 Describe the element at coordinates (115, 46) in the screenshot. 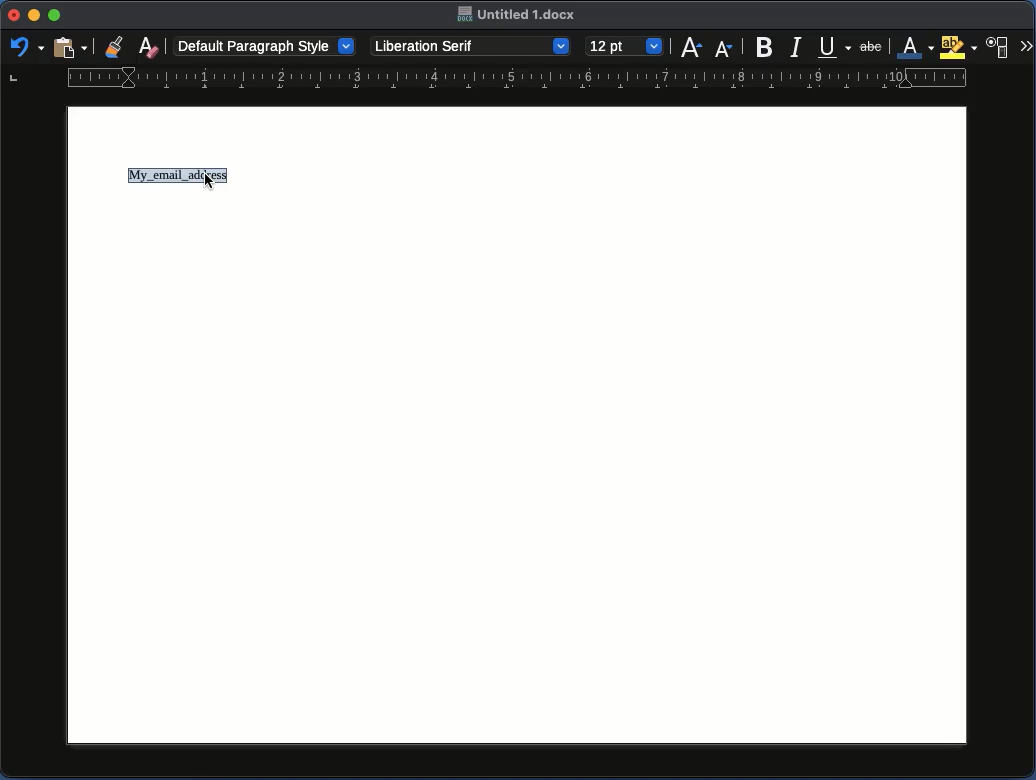

I see `Clone formatting` at that location.